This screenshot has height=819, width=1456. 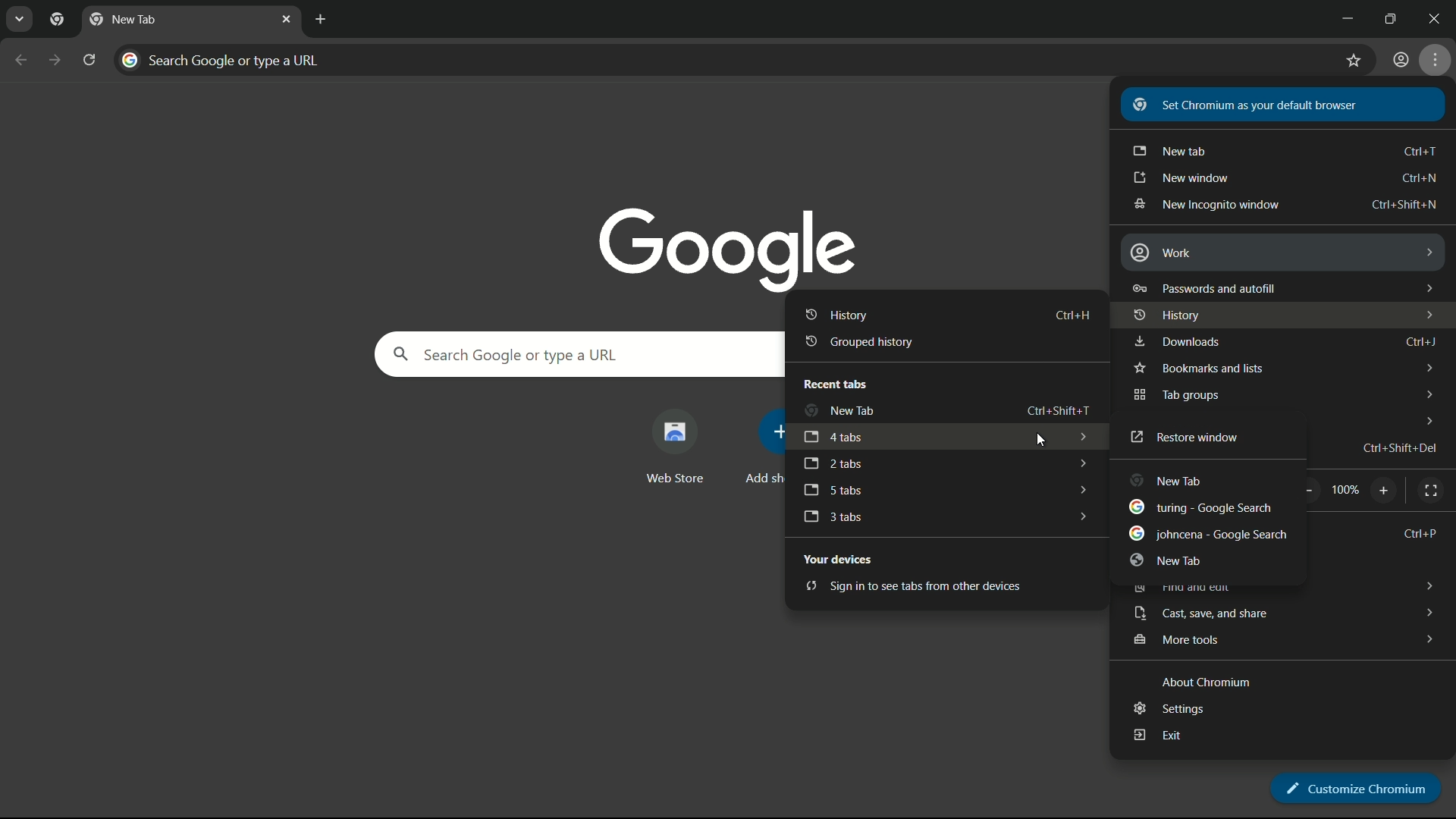 What do you see at coordinates (1176, 343) in the screenshot?
I see `downloads` at bounding box center [1176, 343].